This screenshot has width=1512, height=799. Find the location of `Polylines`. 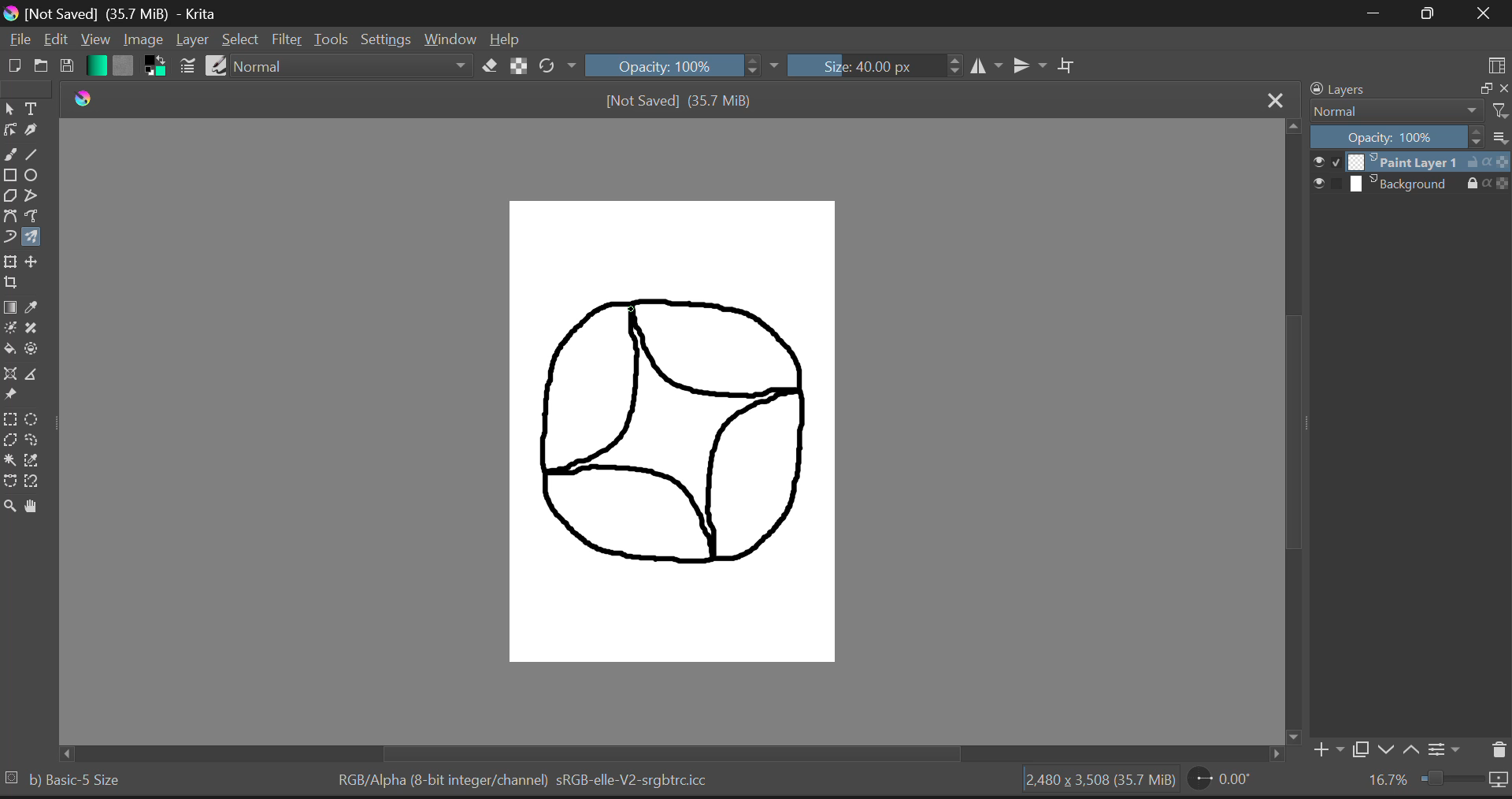

Polylines is located at coordinates (32, 195).